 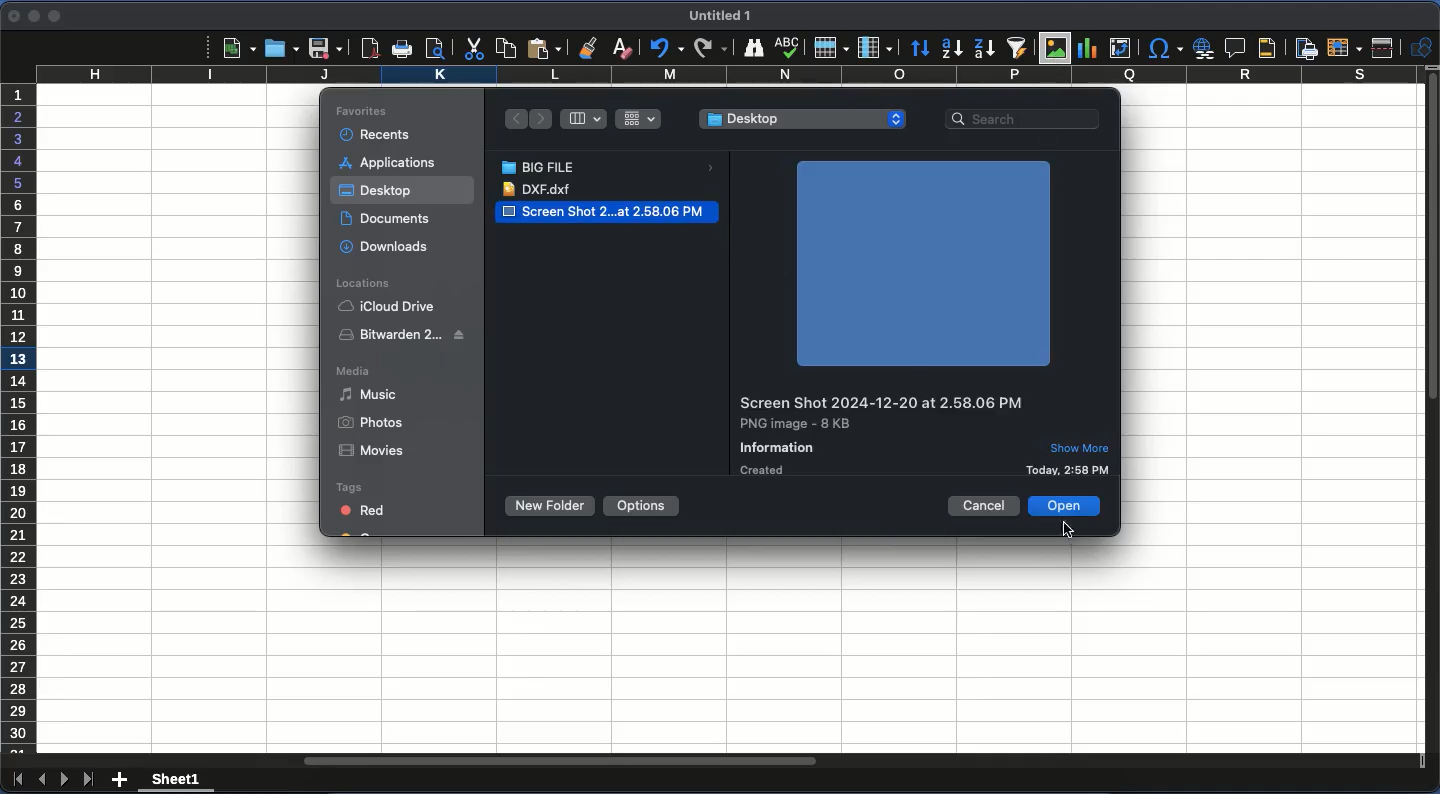 I want to click on save, so click(x=327, y=49).